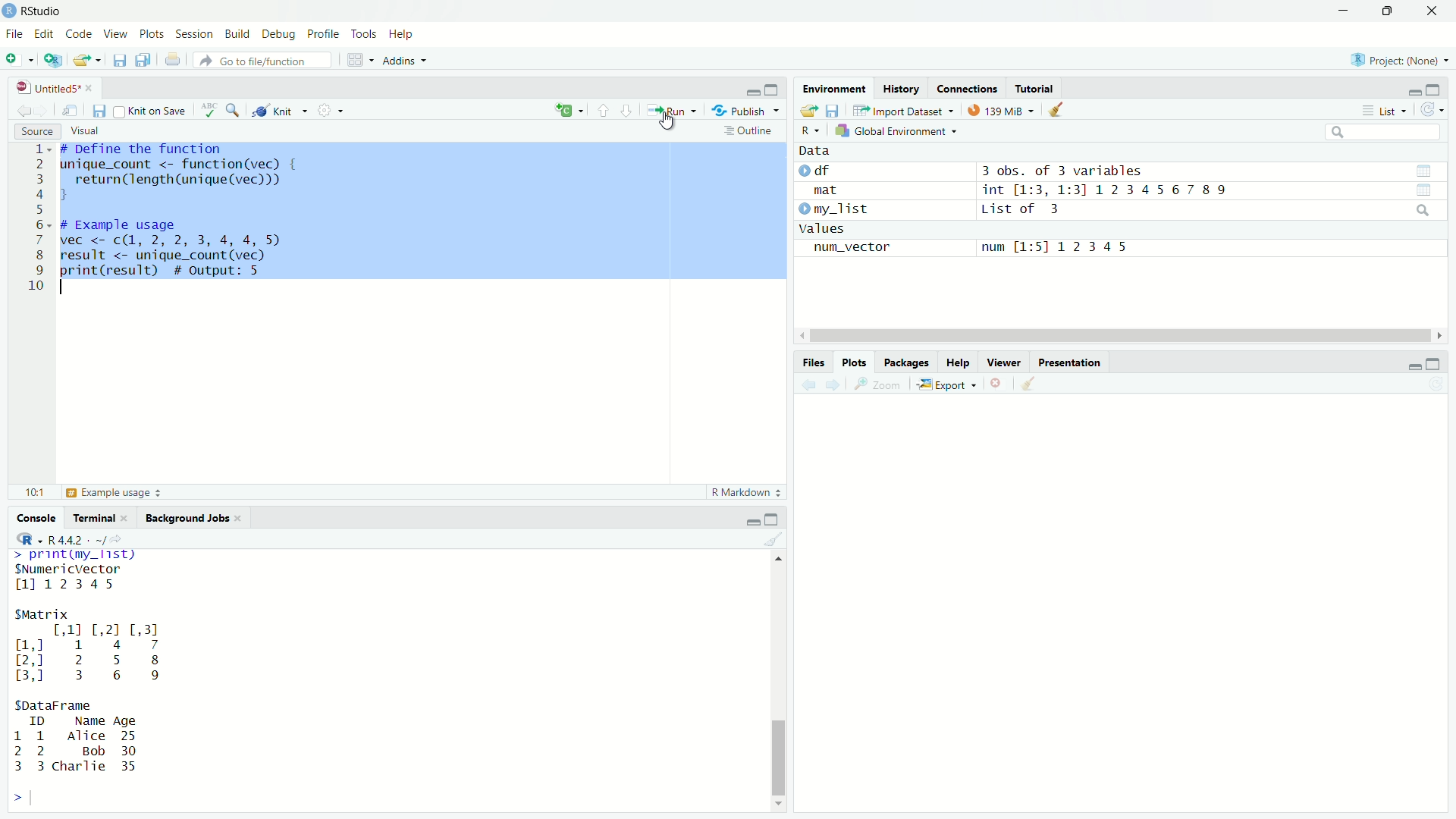 The height and width of the screenshot is (819, 1456). I want to click on find and replace, so click(237, 111).